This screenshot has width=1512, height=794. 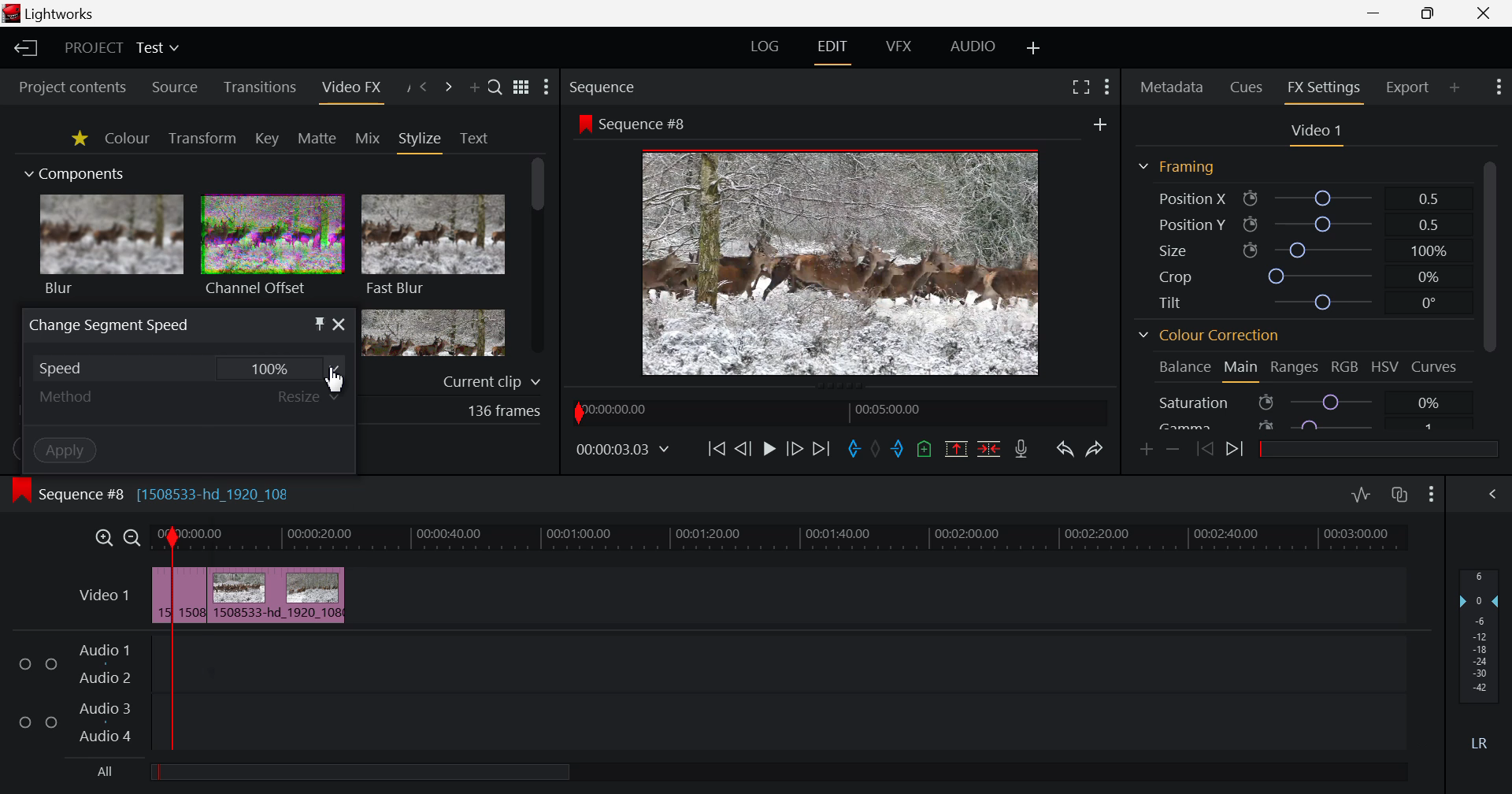 I want to click on EDIT Layout, so click(x=831, y=50).